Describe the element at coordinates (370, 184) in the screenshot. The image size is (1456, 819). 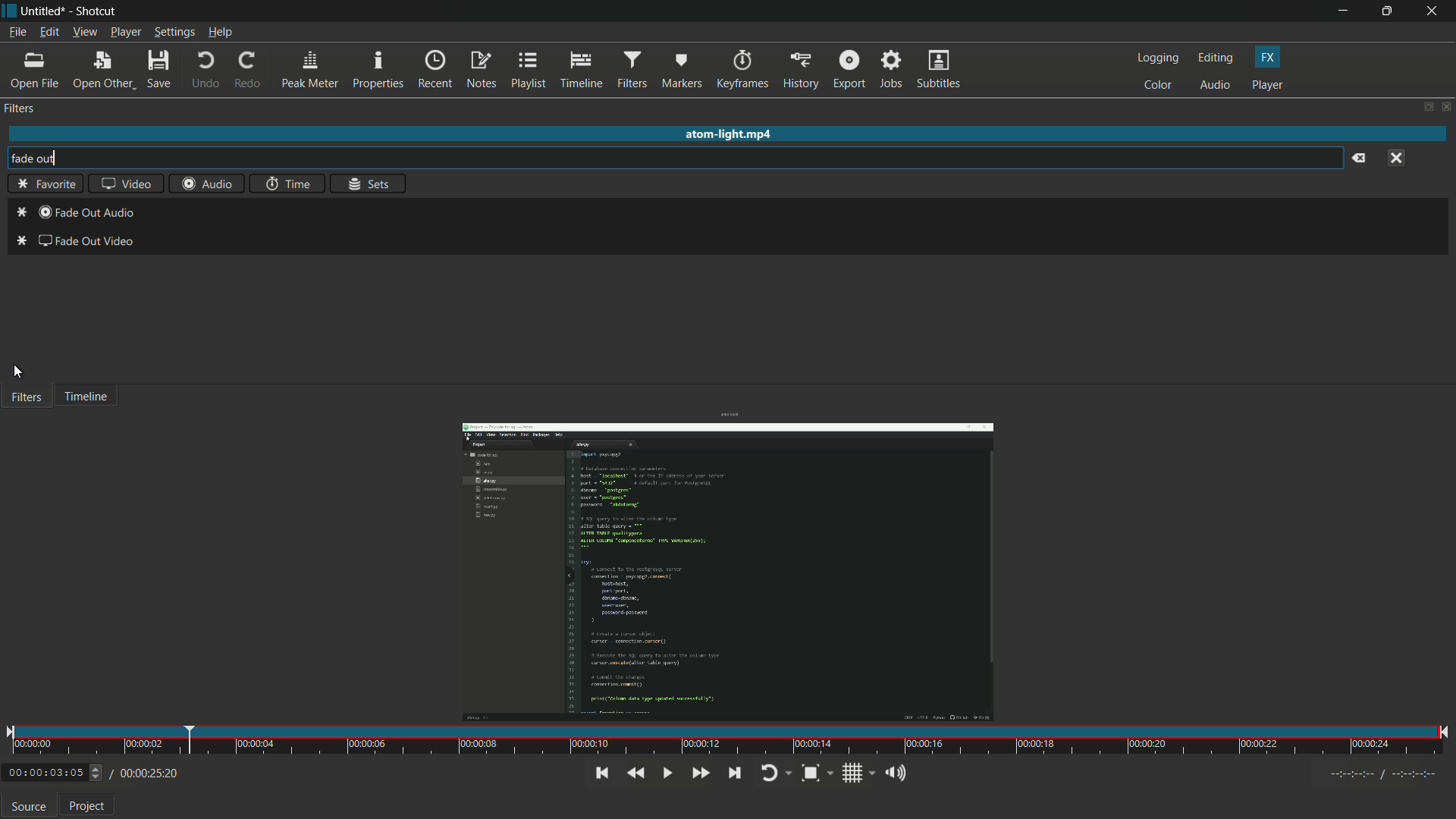
I see `sets` at that location.